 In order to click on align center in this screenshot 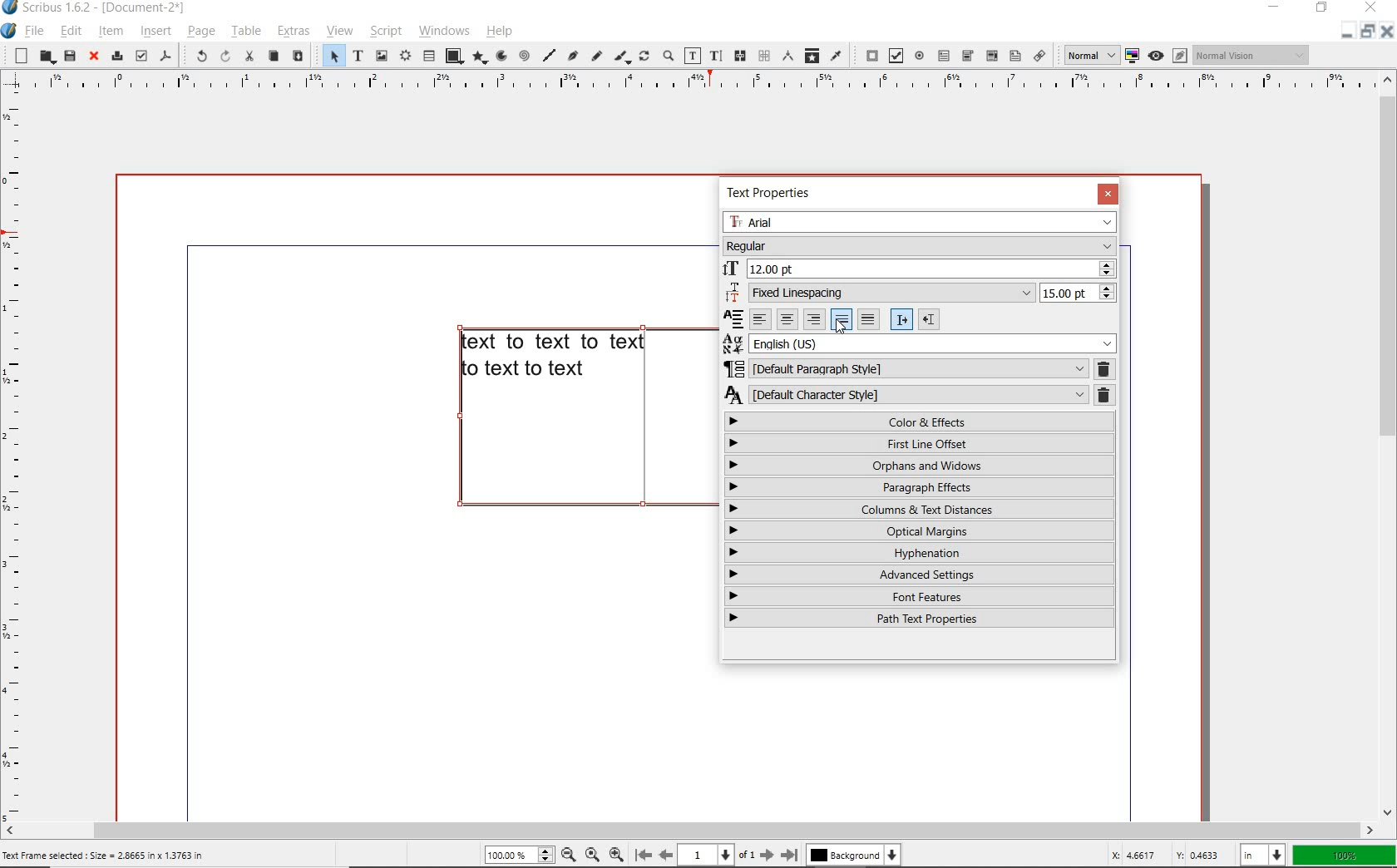, I will do `click(786, 319)`.